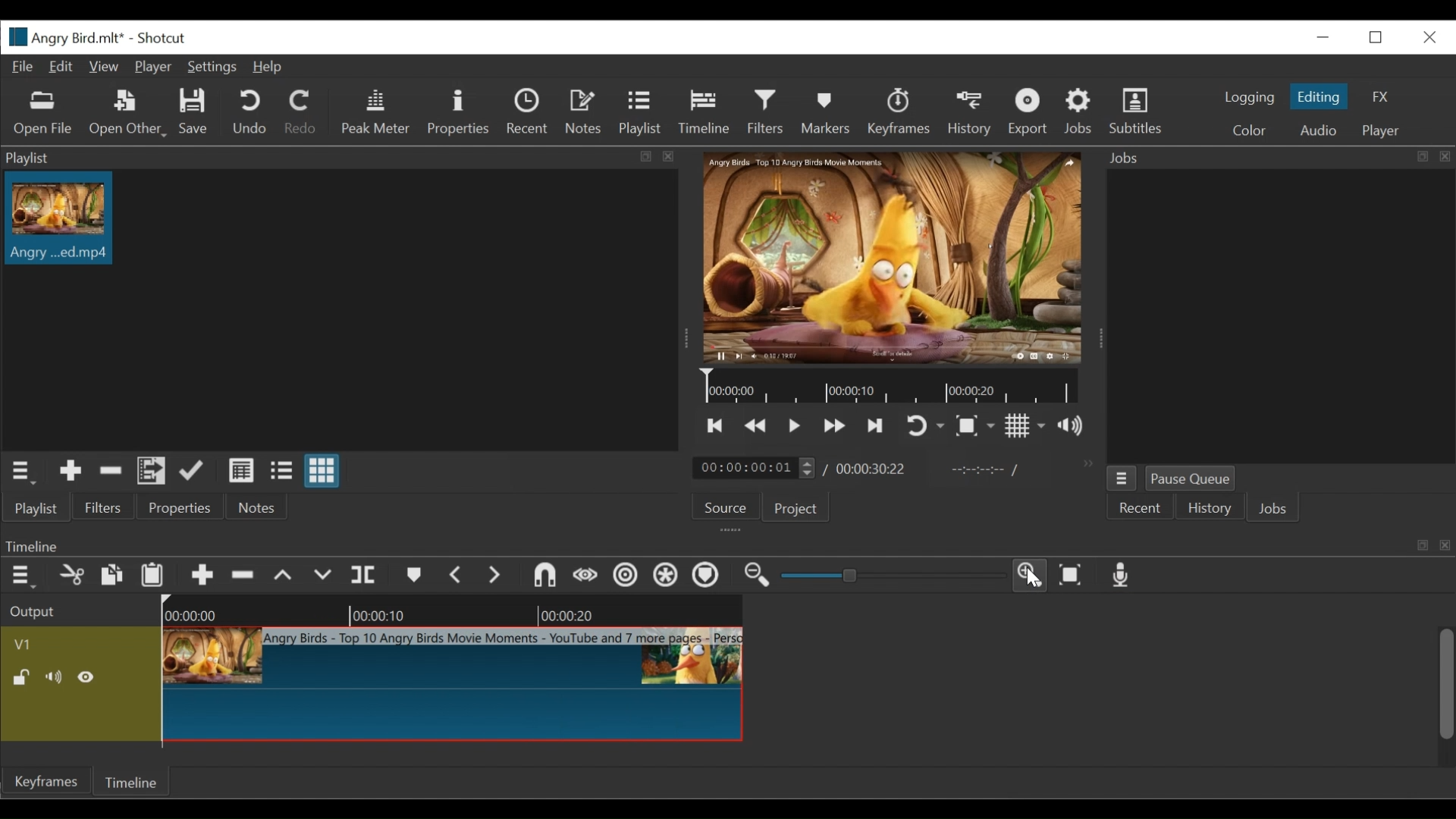 The image size is (1456, 819). I want to click on Record audio, so click(1120, 577).